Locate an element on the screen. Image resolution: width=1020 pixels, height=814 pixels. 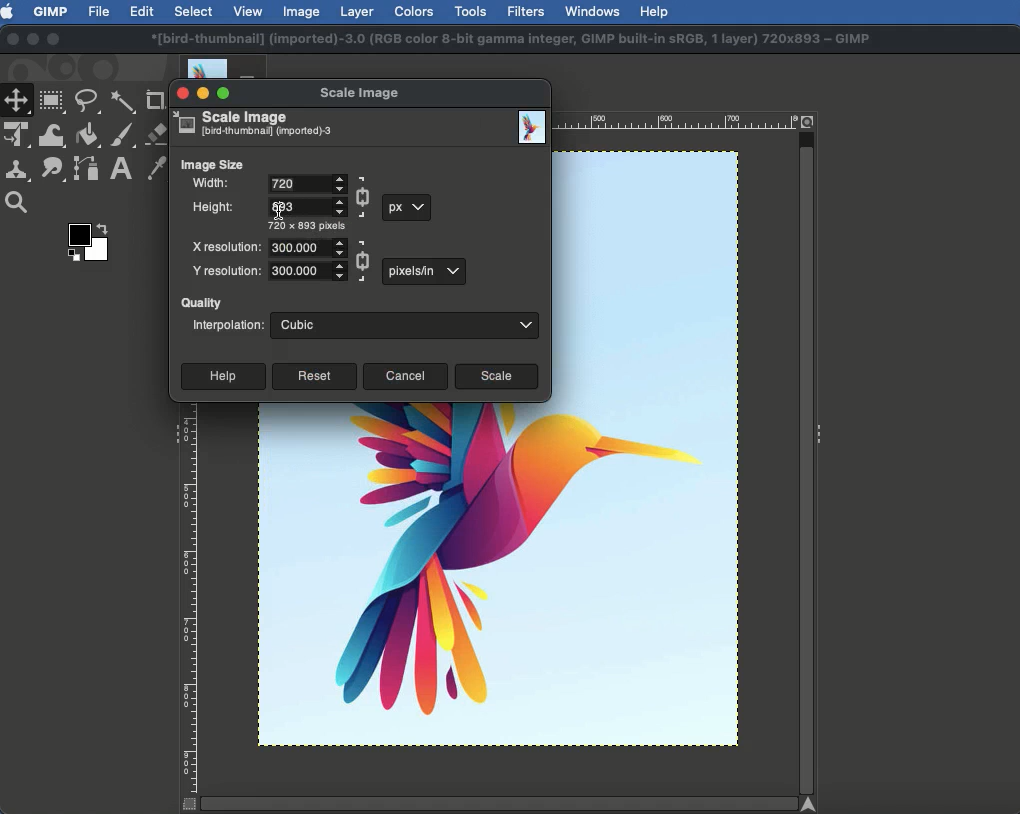
px is located at coordinates (406, 209).